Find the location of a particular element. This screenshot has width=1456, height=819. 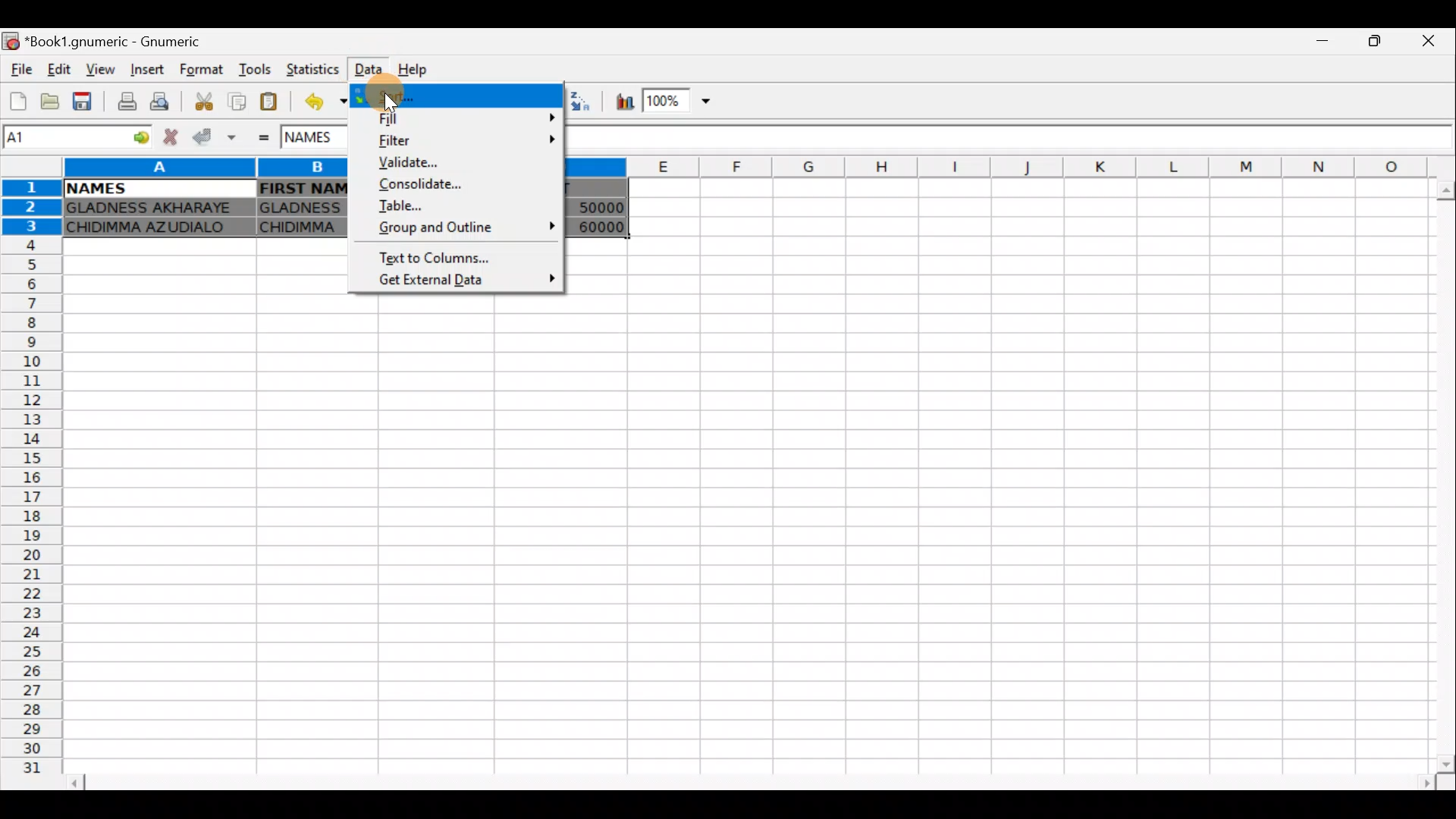

Copy selection is located at coordinates (237, 102).